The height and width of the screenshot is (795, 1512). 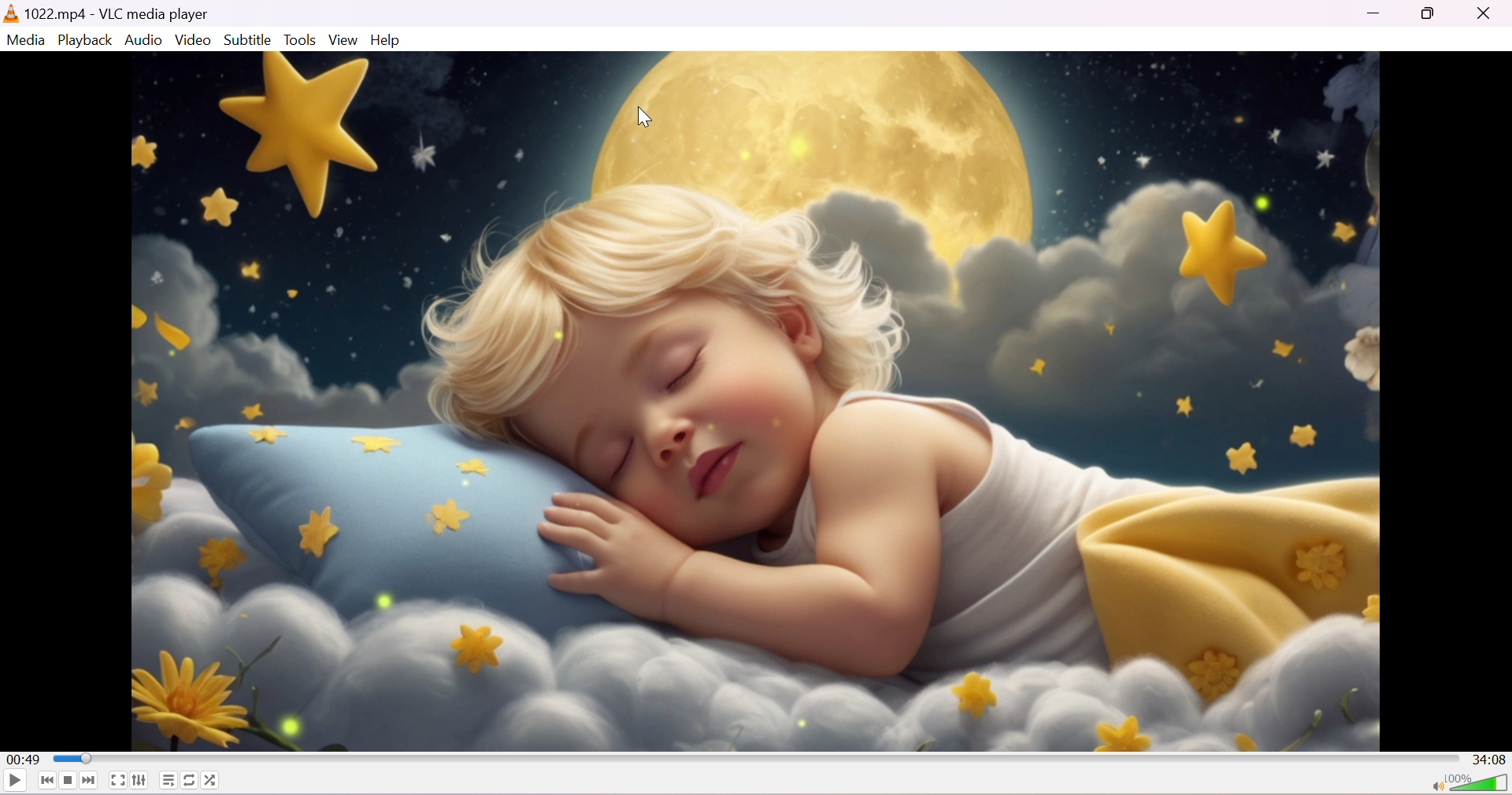 I want to click on Subtitle, so click(x=247, y=41).